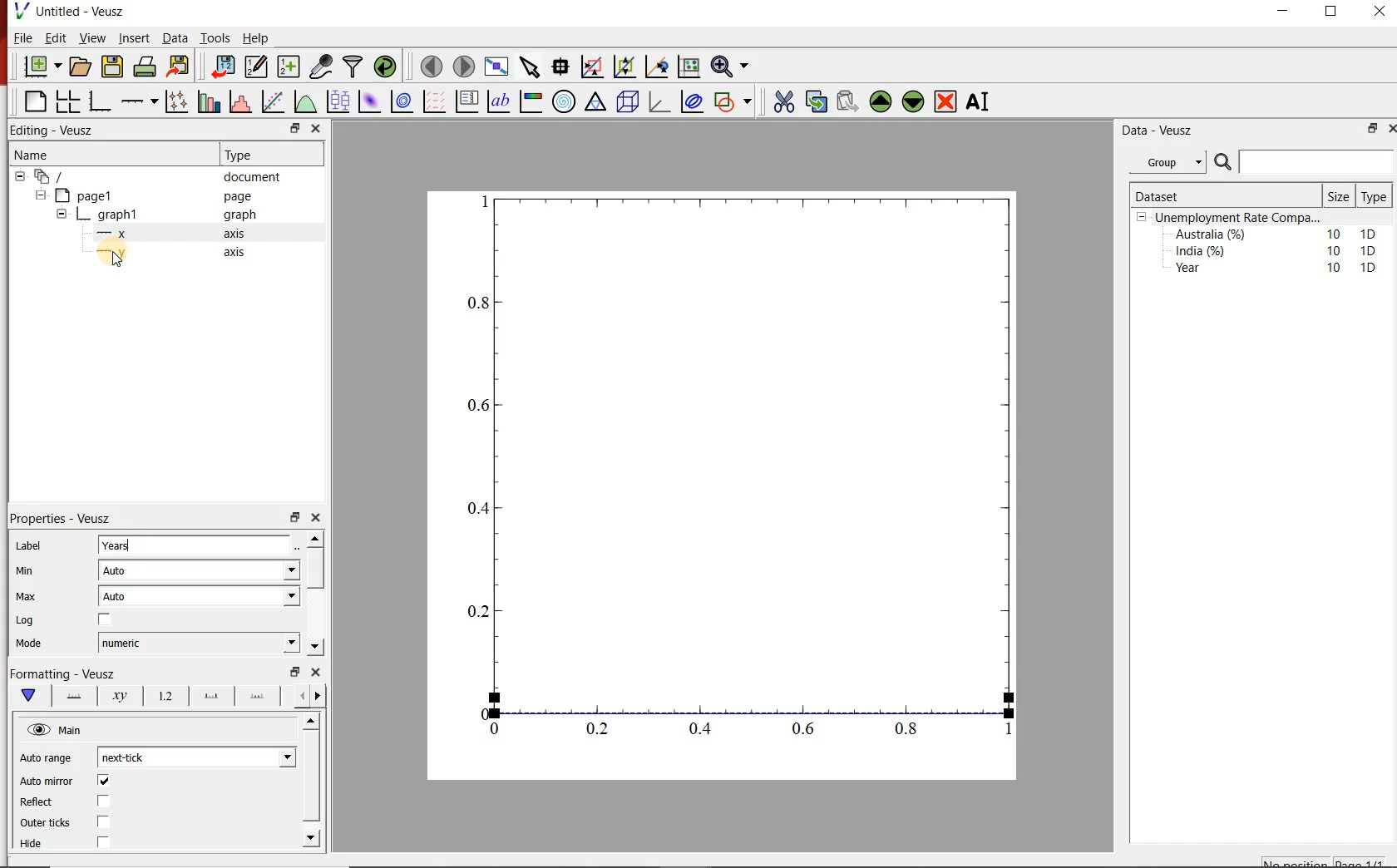 Image resolution: width=1397 pixels, height=868 pixels. Describe the element at coordinates (216, 37) in the screenshot. I see `Tools` at that location.